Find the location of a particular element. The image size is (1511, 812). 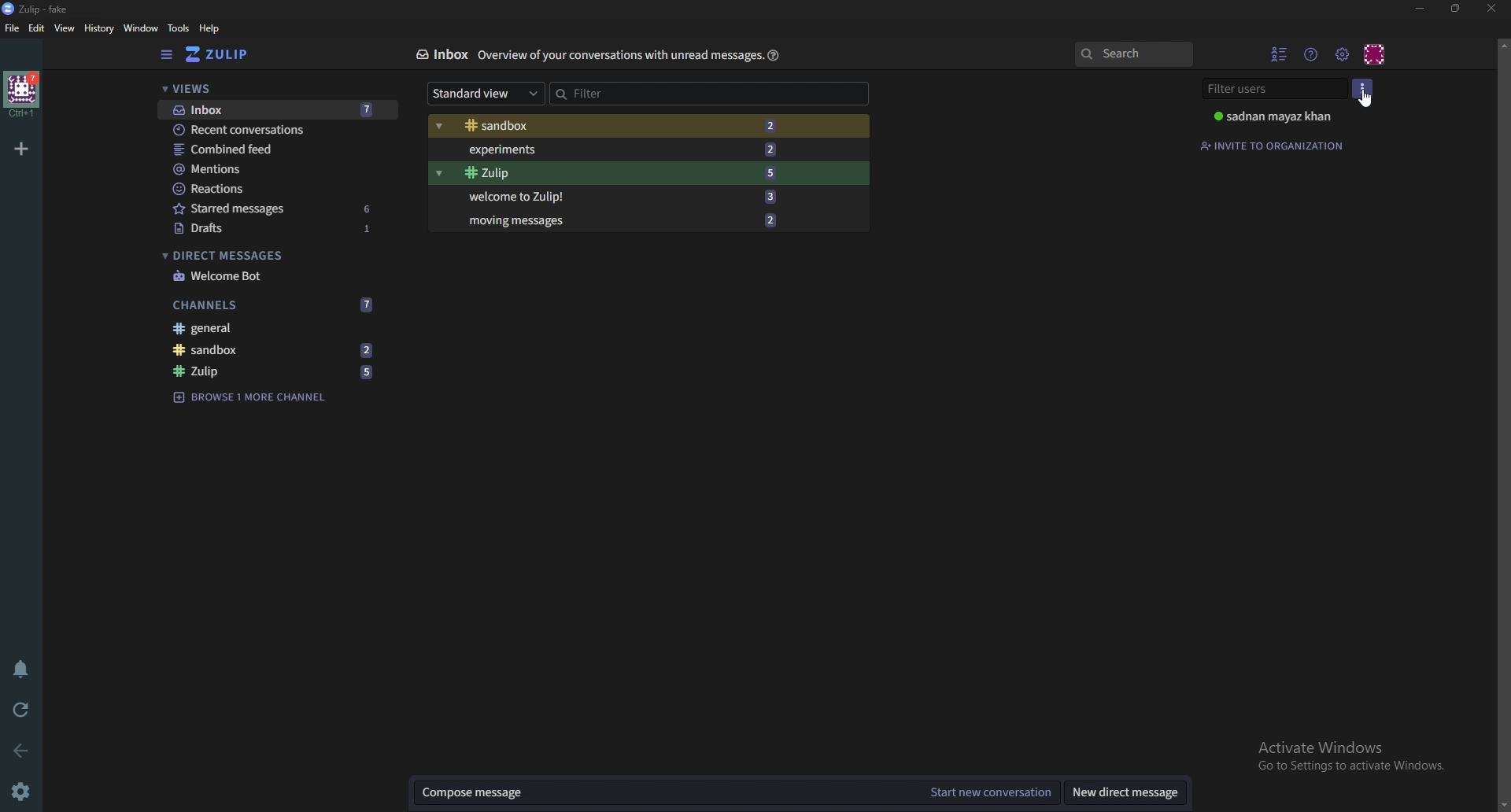

Inbox is located at coordinates (279, 110).